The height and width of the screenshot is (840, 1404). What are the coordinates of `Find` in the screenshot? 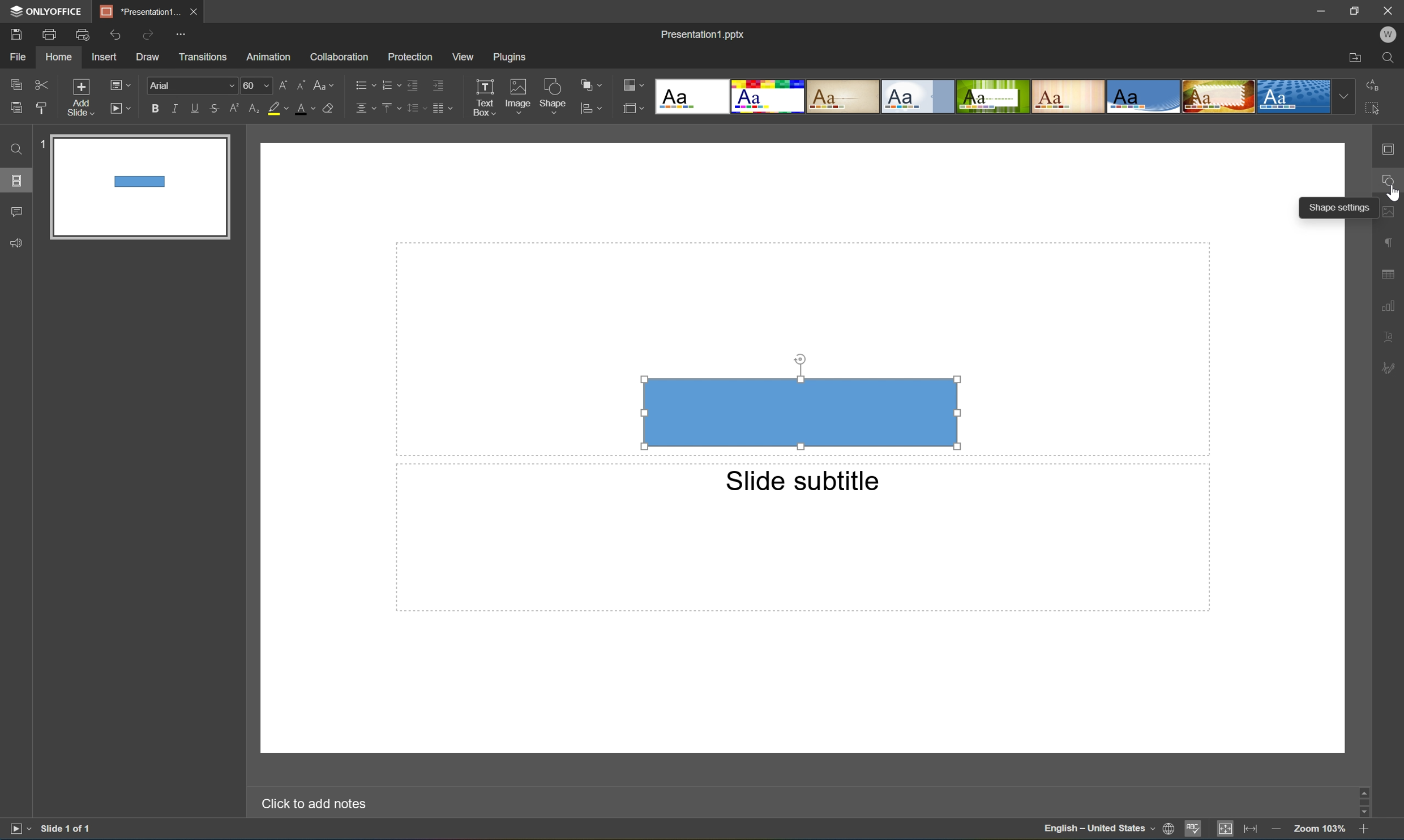 It's located at (1388, 58).